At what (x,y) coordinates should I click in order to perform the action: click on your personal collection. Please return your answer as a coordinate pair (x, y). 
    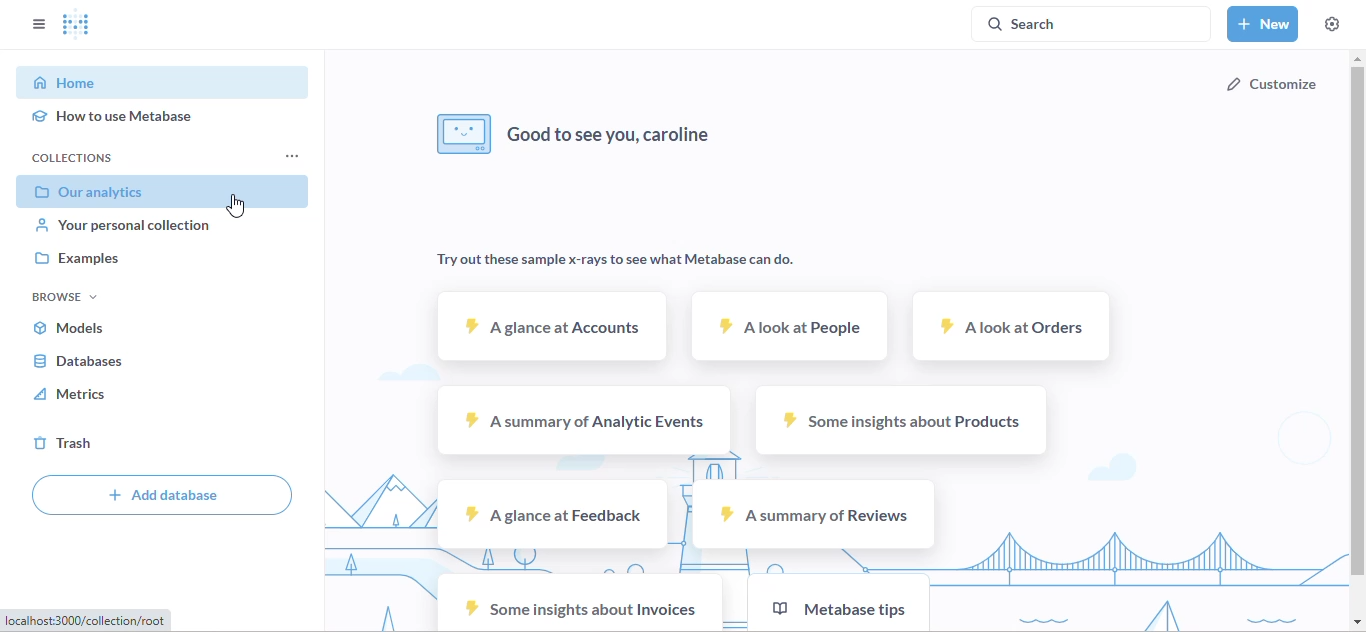
    Looking at the image, I should click on (123, 225).